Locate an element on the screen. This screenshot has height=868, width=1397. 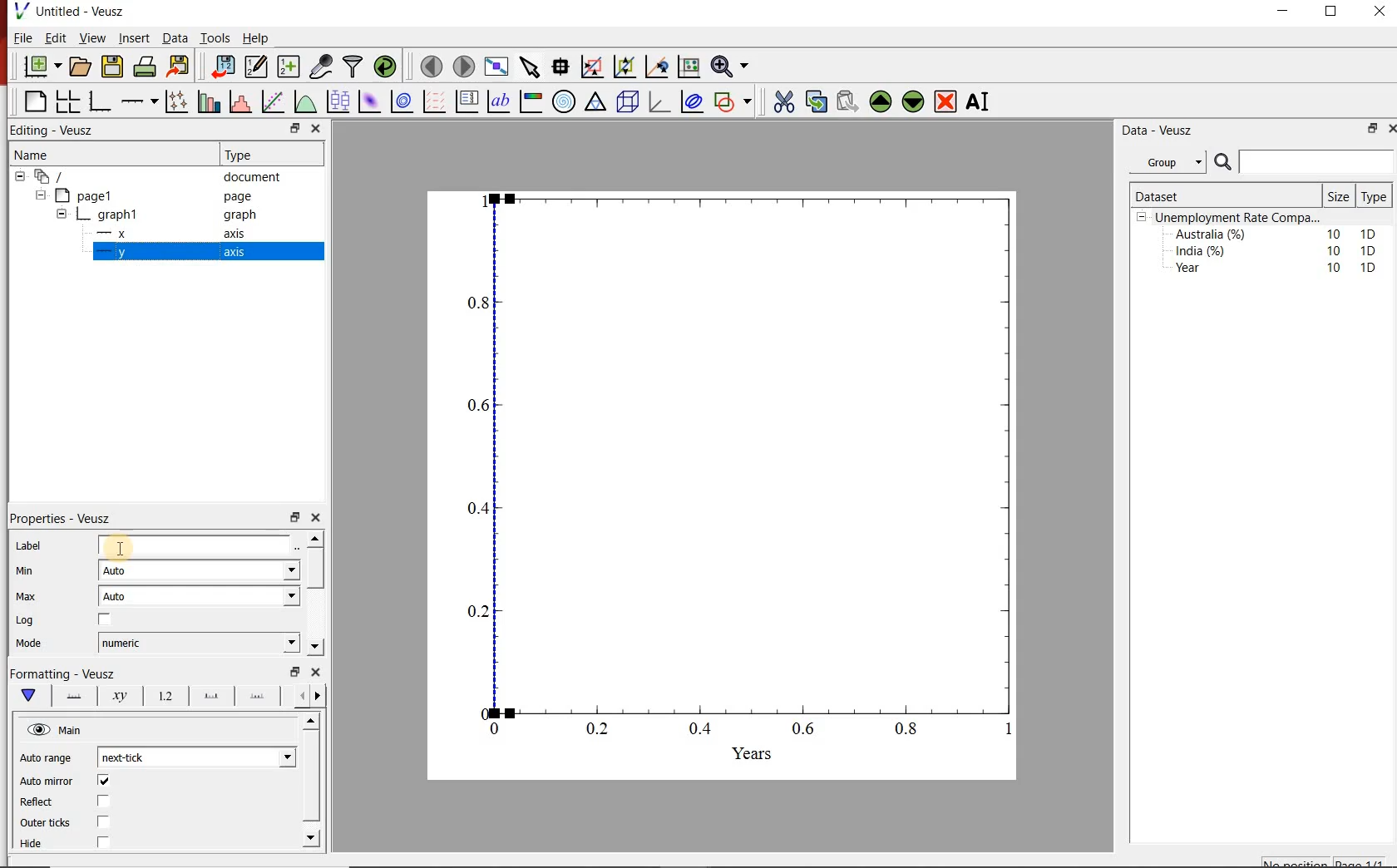
rename the widgets is located at coordinates (981, 101).